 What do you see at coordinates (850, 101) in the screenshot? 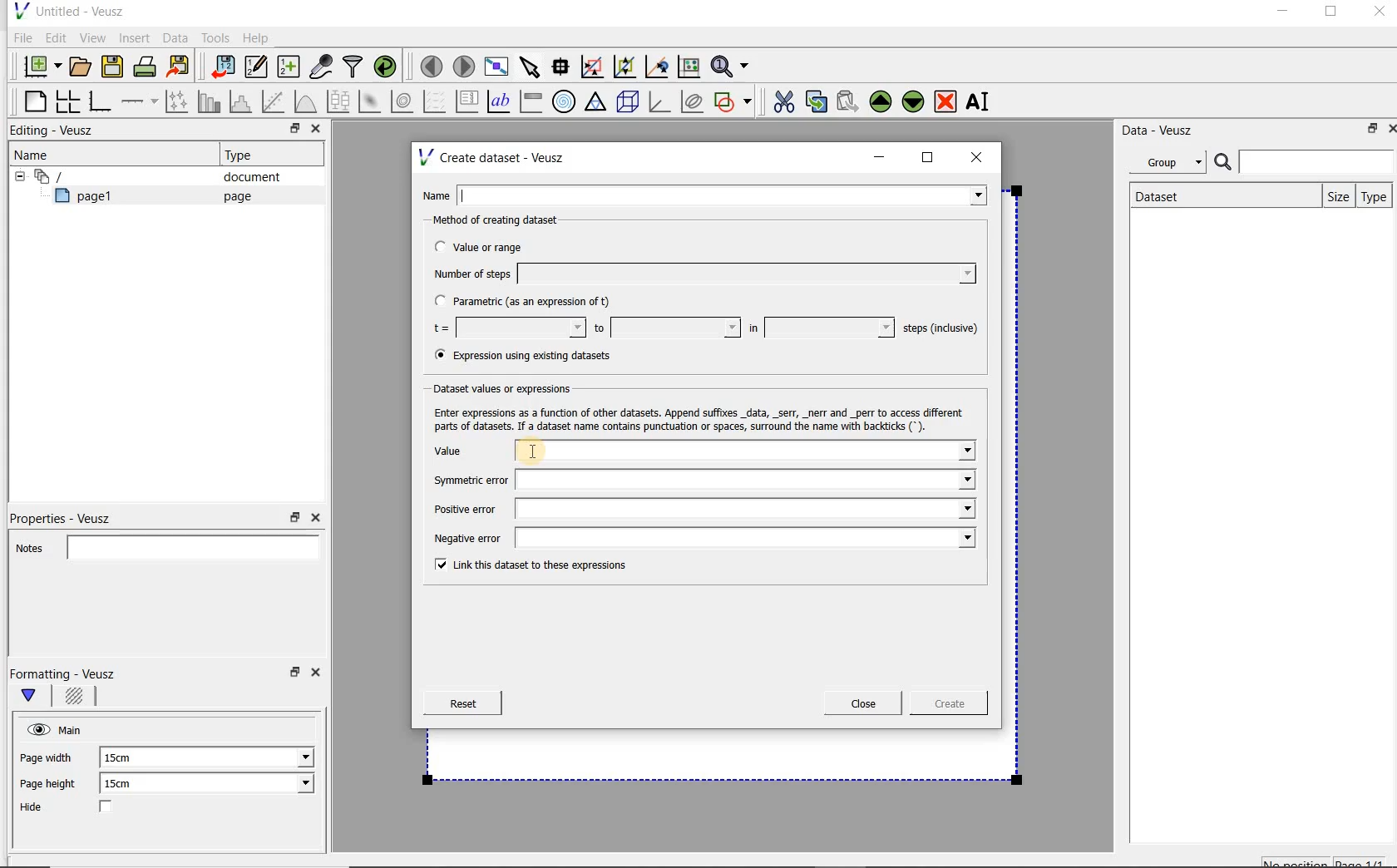
I see `Paste widget from the clipboard` at bounding box center [850, 101].